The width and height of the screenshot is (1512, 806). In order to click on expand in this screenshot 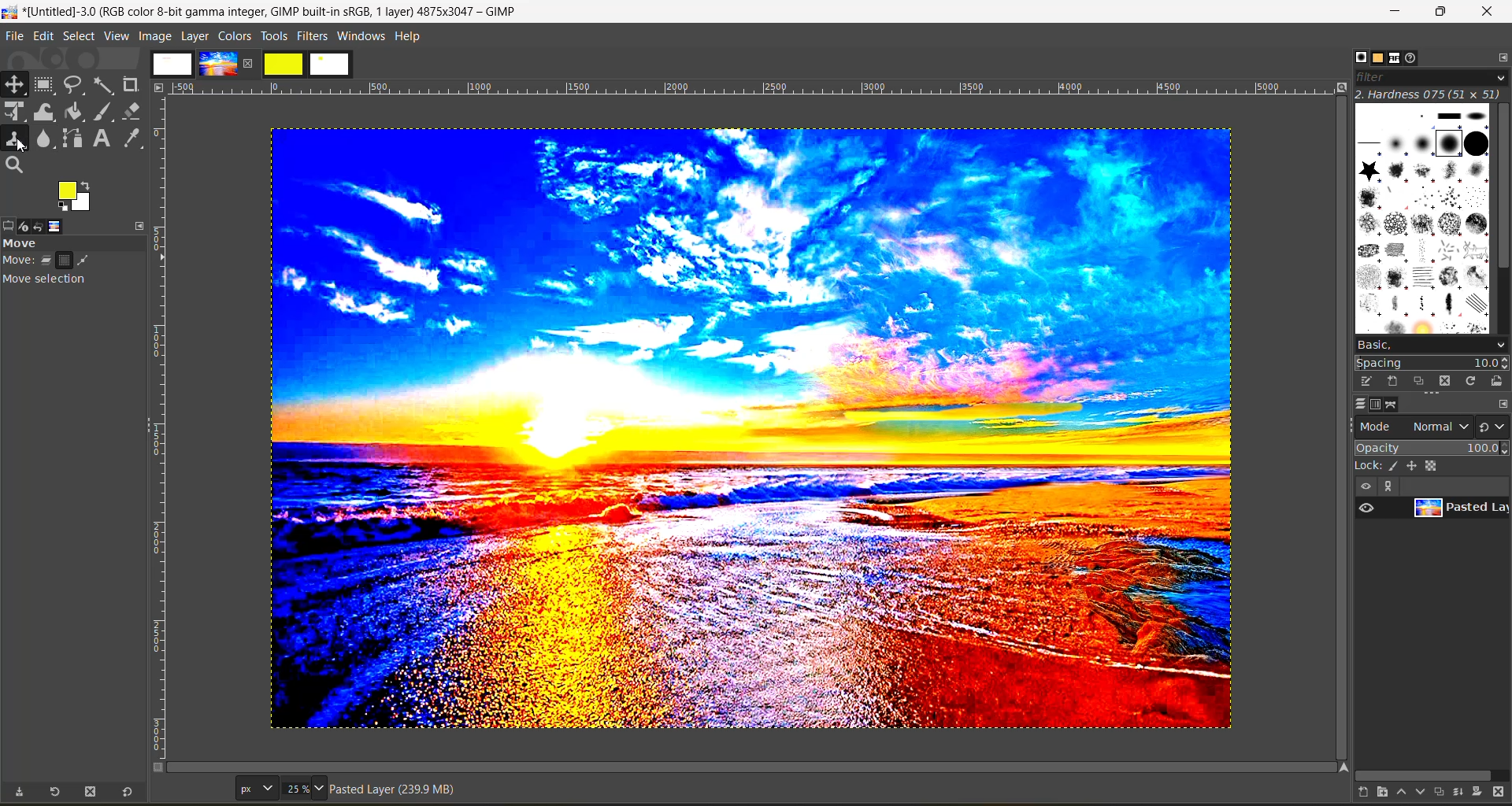, I will do `click(1386, 486)`.